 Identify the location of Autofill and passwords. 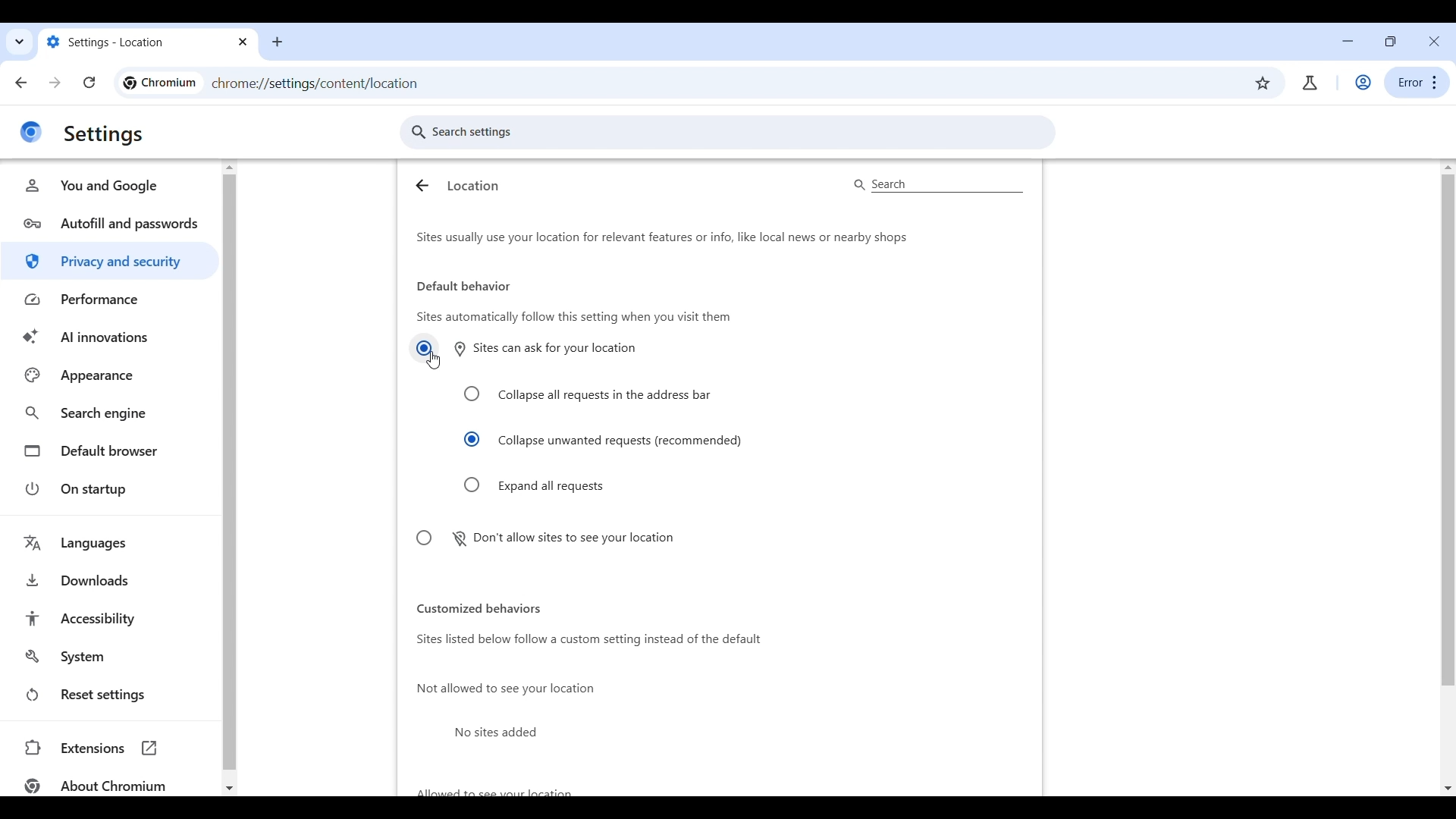
(110, 221).